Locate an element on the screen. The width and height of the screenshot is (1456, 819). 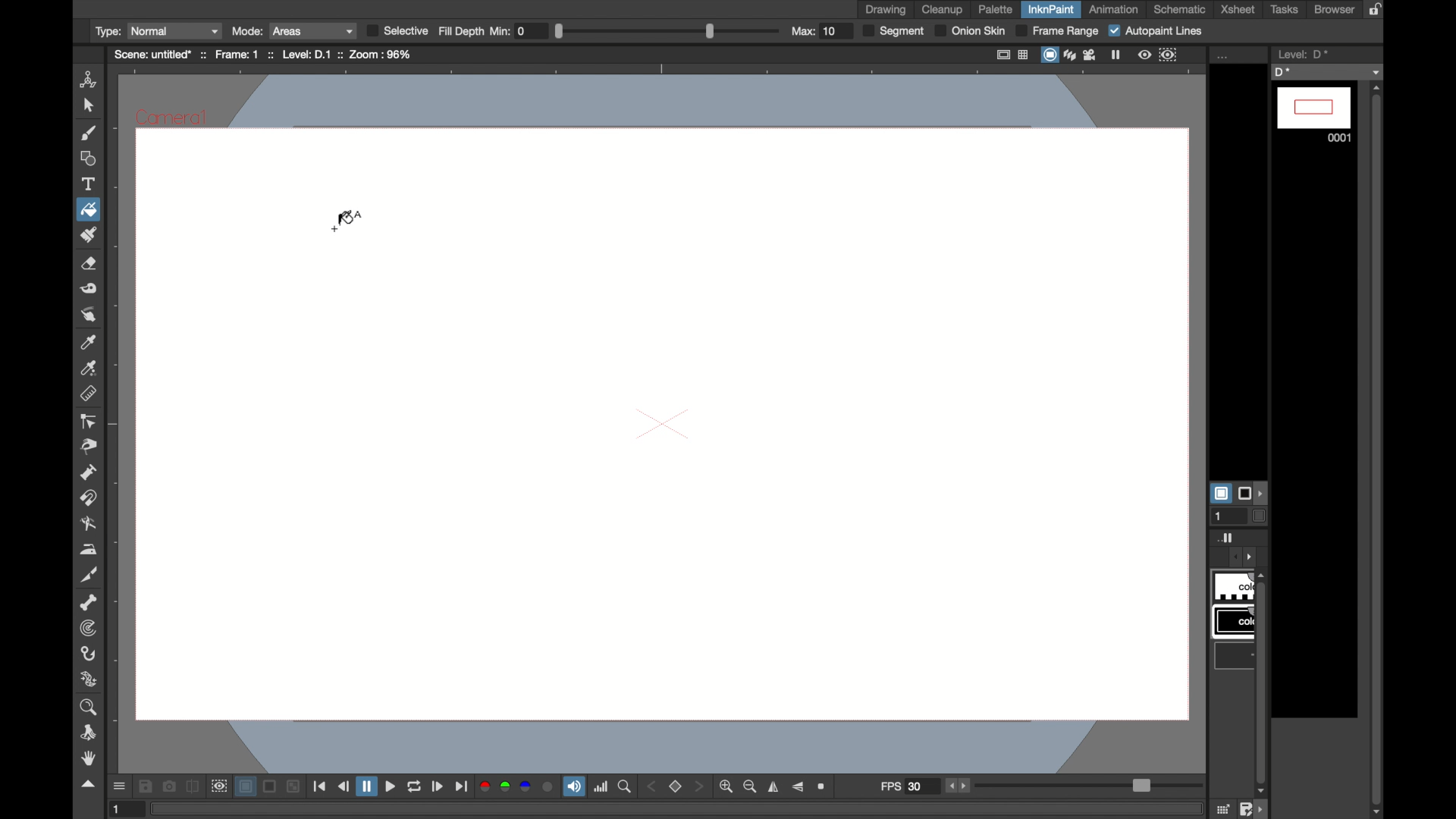
iron tool is located at coordinates (89, 549).